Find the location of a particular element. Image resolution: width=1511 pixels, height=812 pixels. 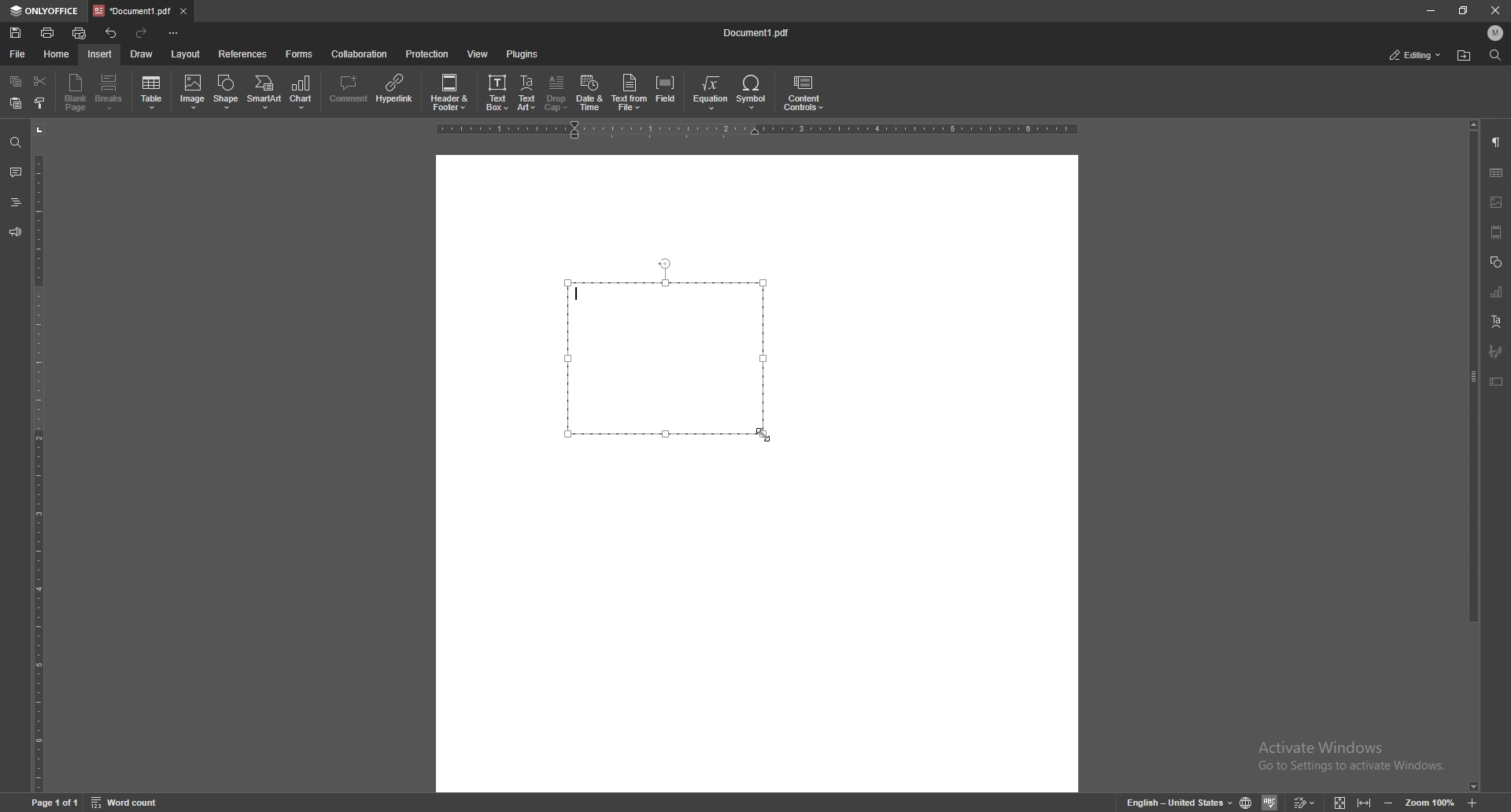

references is located at coordinates (243, 54).